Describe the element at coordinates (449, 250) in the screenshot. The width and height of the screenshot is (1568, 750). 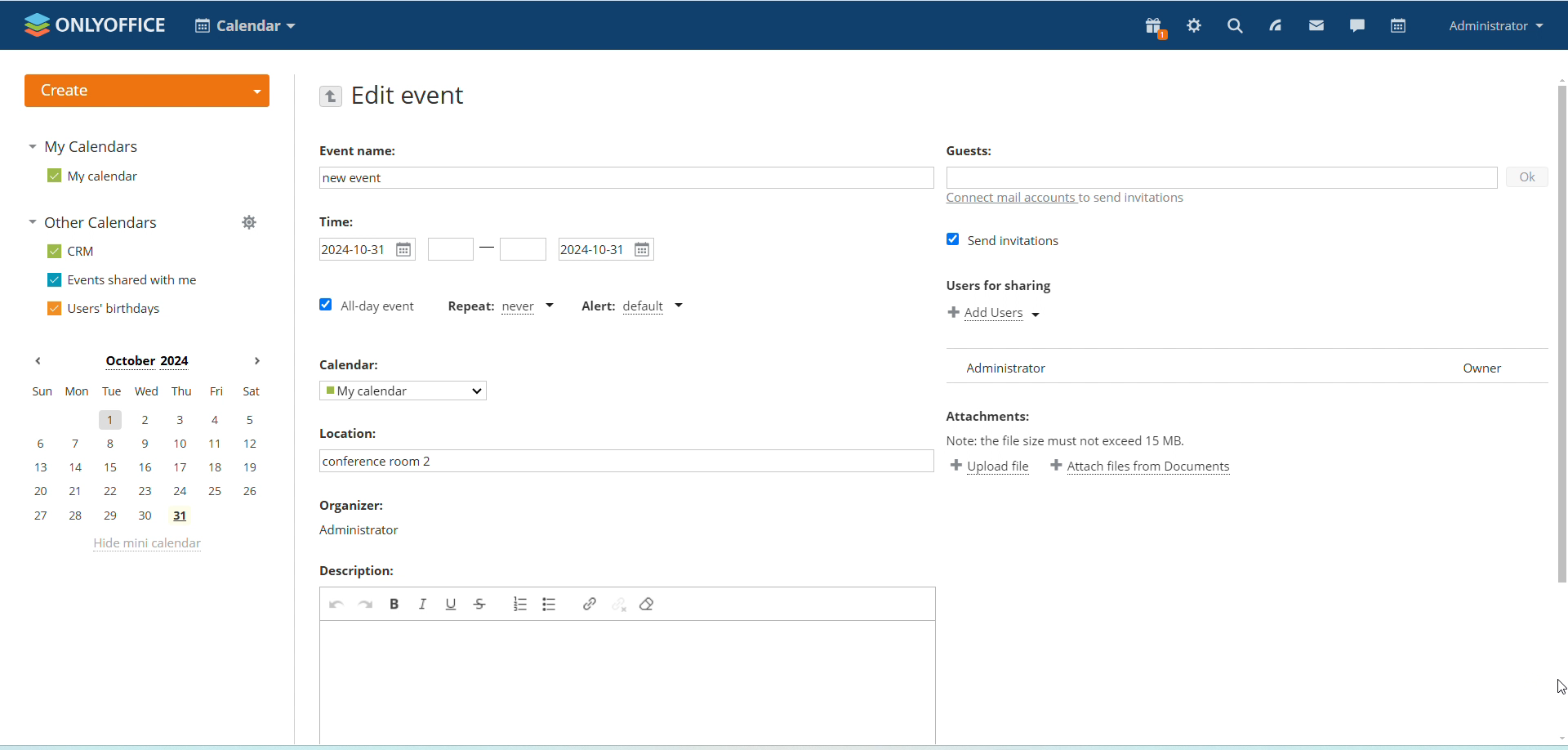
I see `event start time` at that location.